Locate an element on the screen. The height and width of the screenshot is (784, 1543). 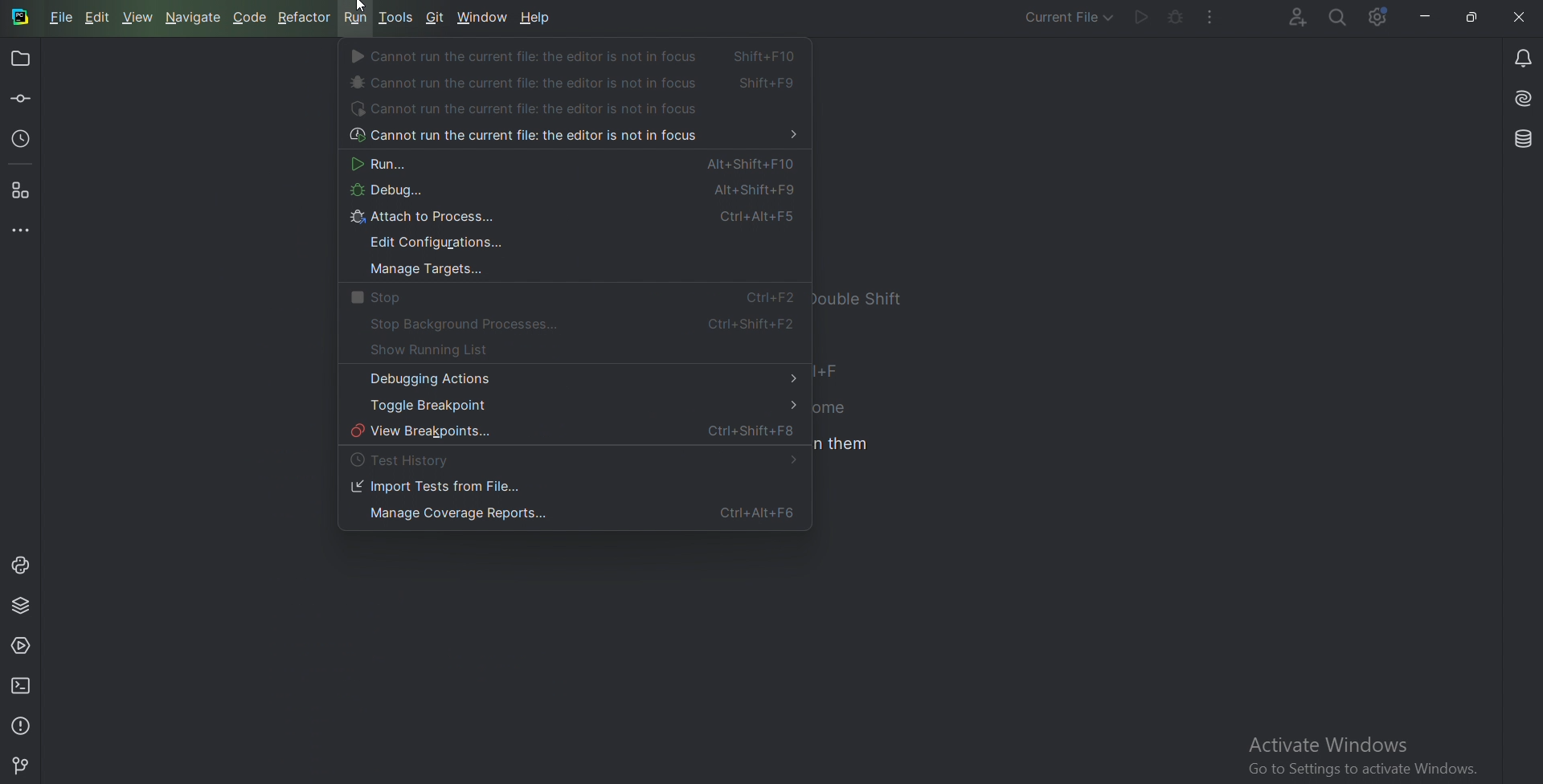
Tools is located at coordinates (396, 14).